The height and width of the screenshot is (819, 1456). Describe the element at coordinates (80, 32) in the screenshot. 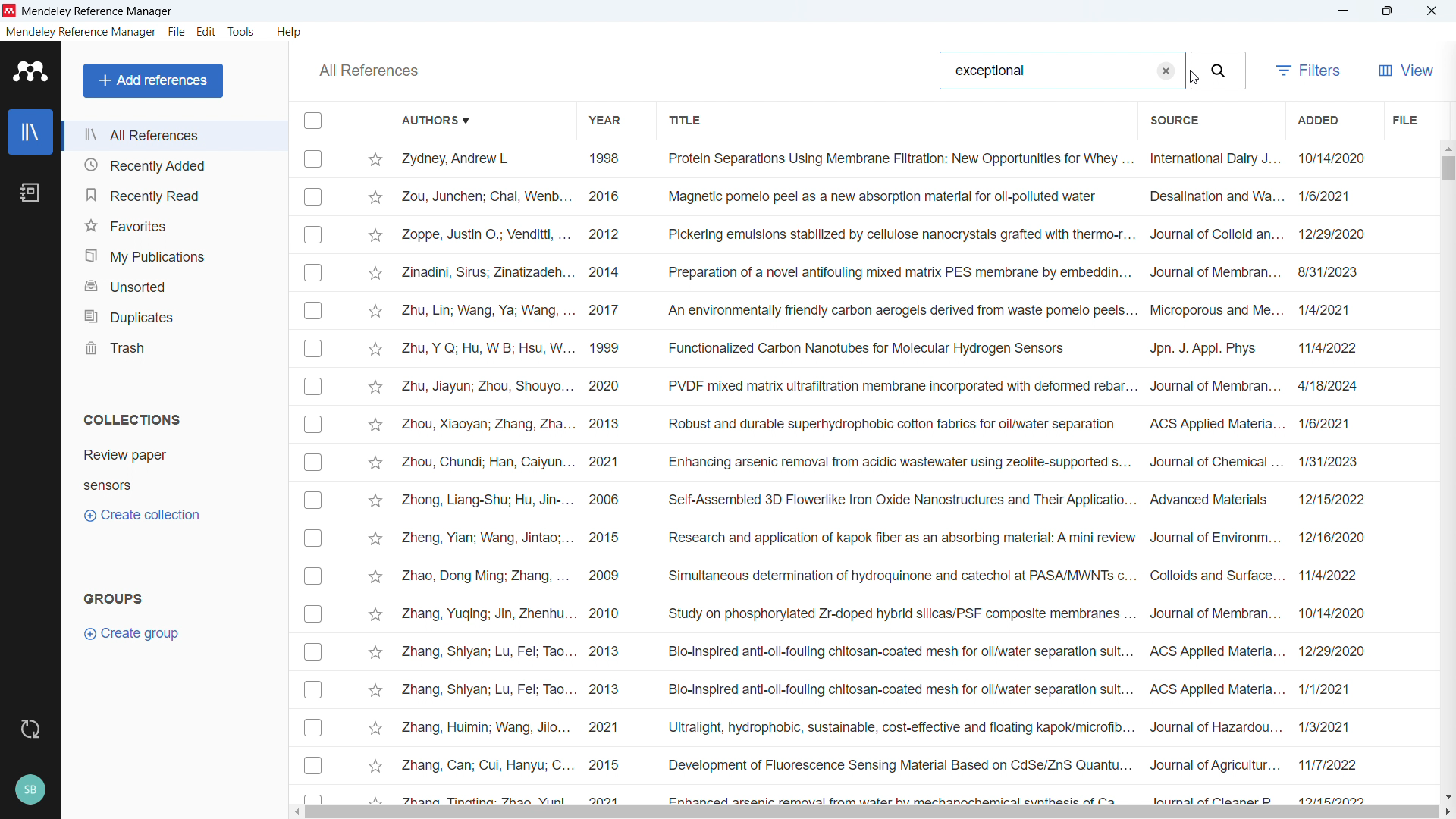

I see `mendeley reference manager` at that location.